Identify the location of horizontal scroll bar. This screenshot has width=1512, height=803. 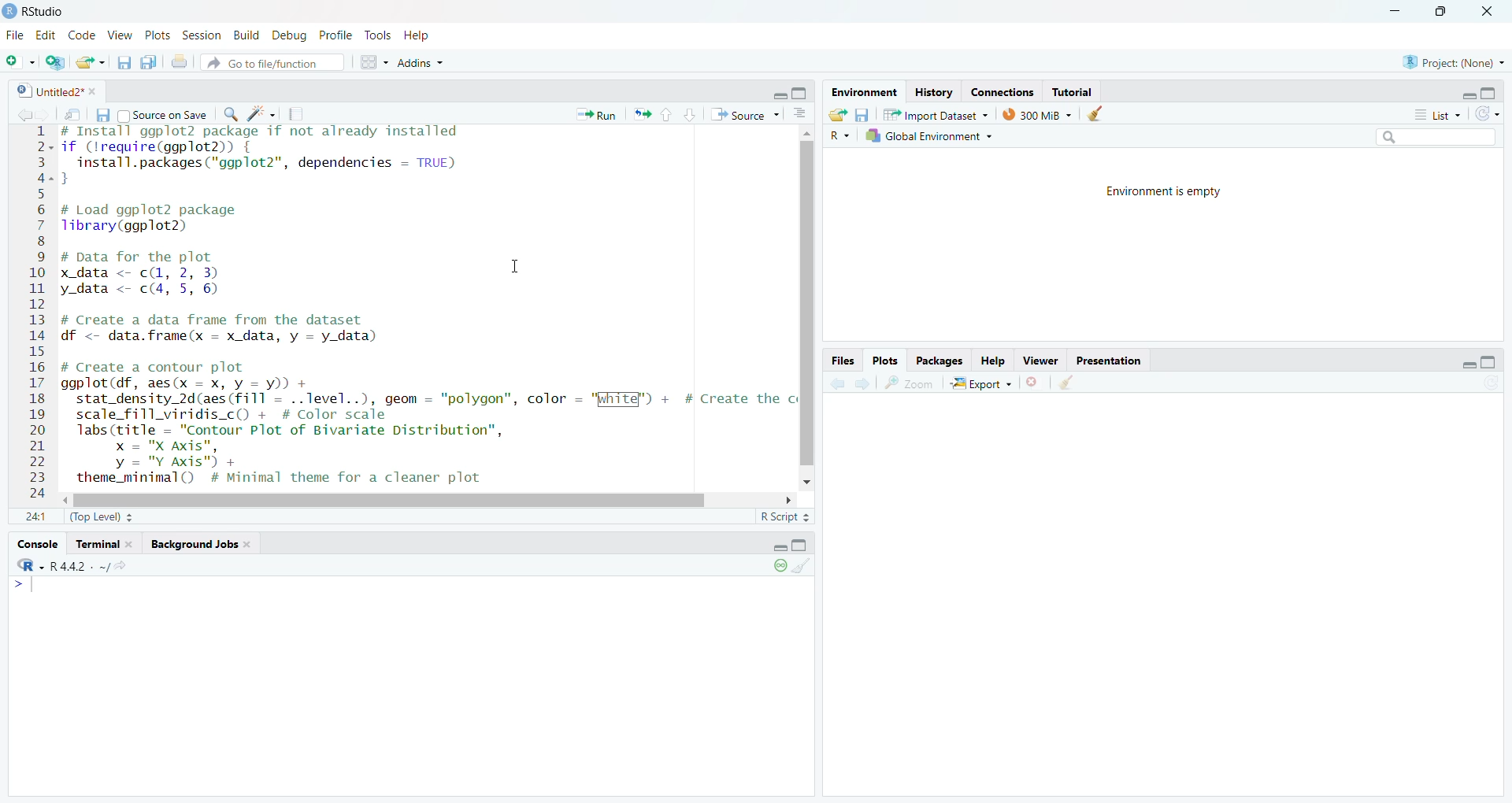
(400, 498).